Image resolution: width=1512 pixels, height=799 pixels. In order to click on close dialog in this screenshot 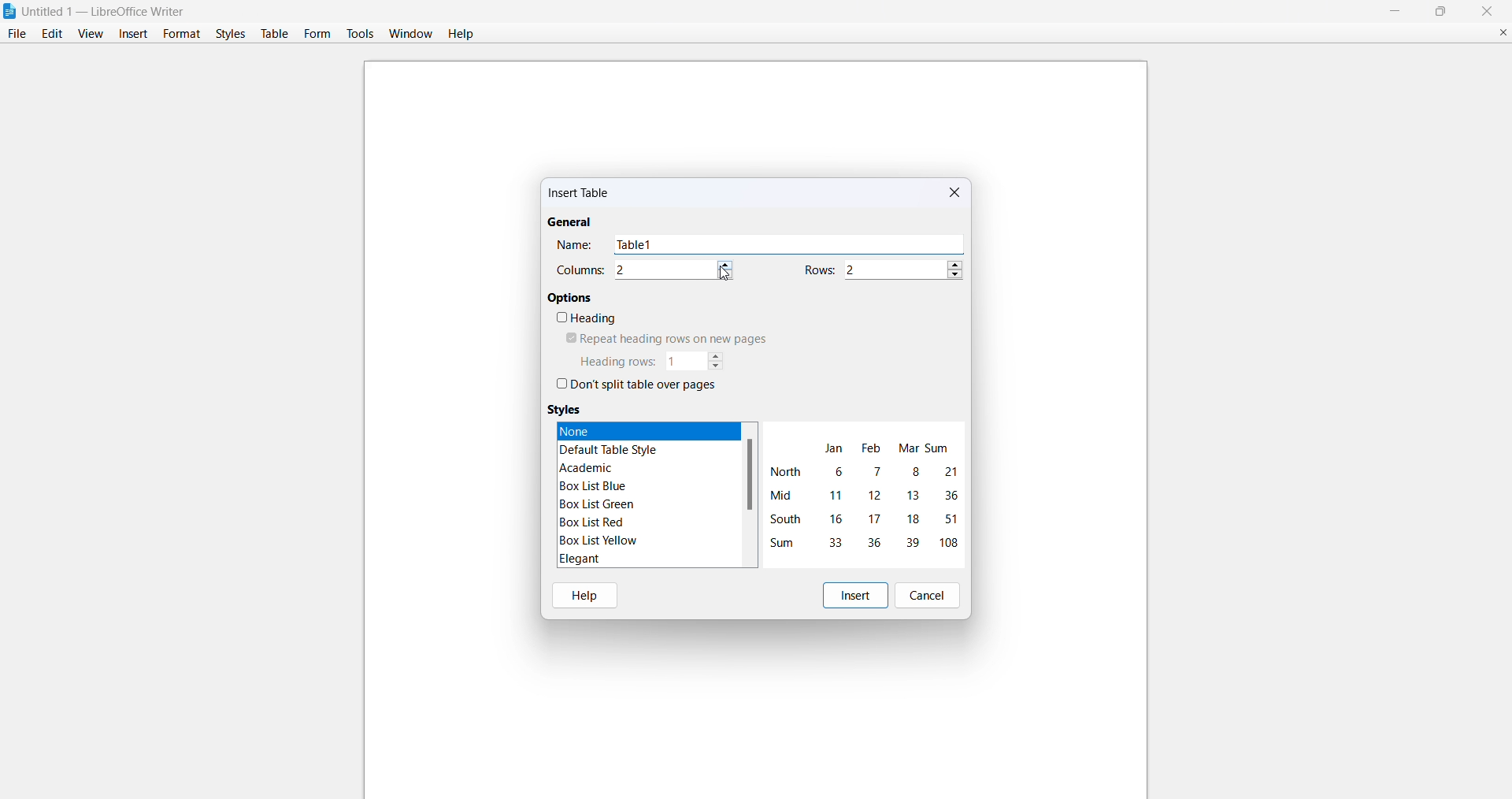, I will do `click(957, 193)`.